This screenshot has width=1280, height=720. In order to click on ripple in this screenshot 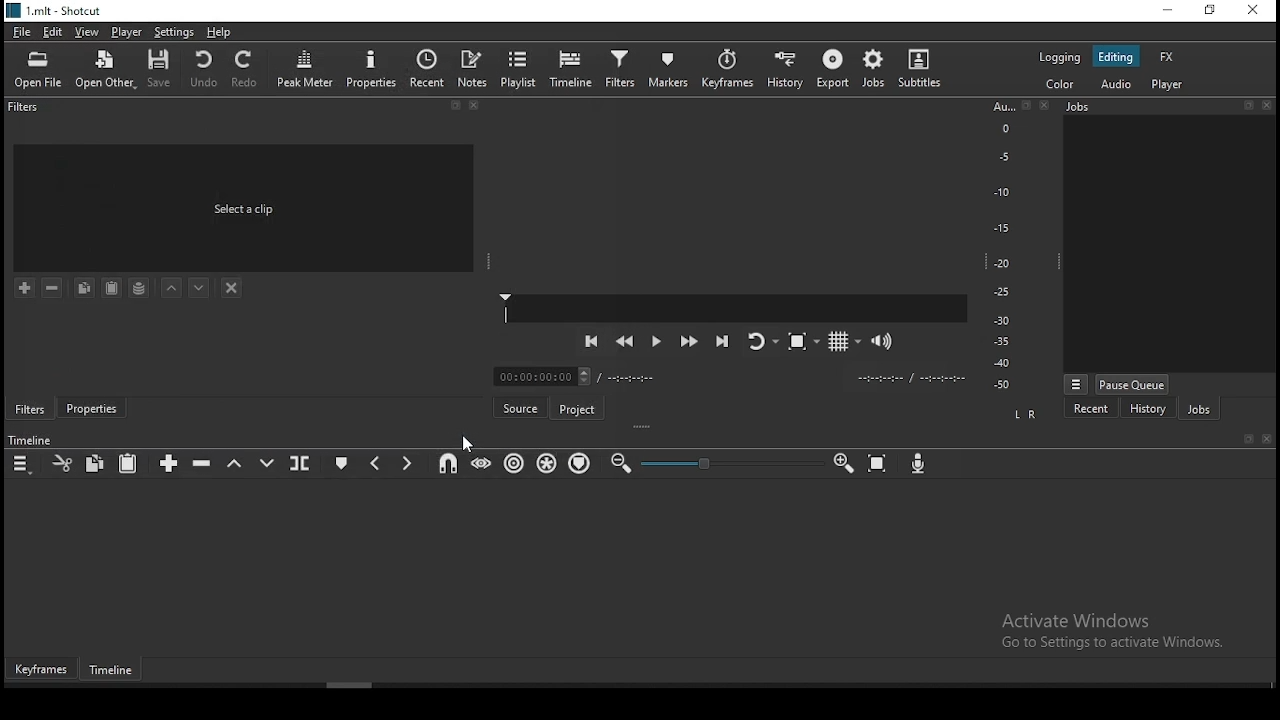, I will do `click(512, 464)`.